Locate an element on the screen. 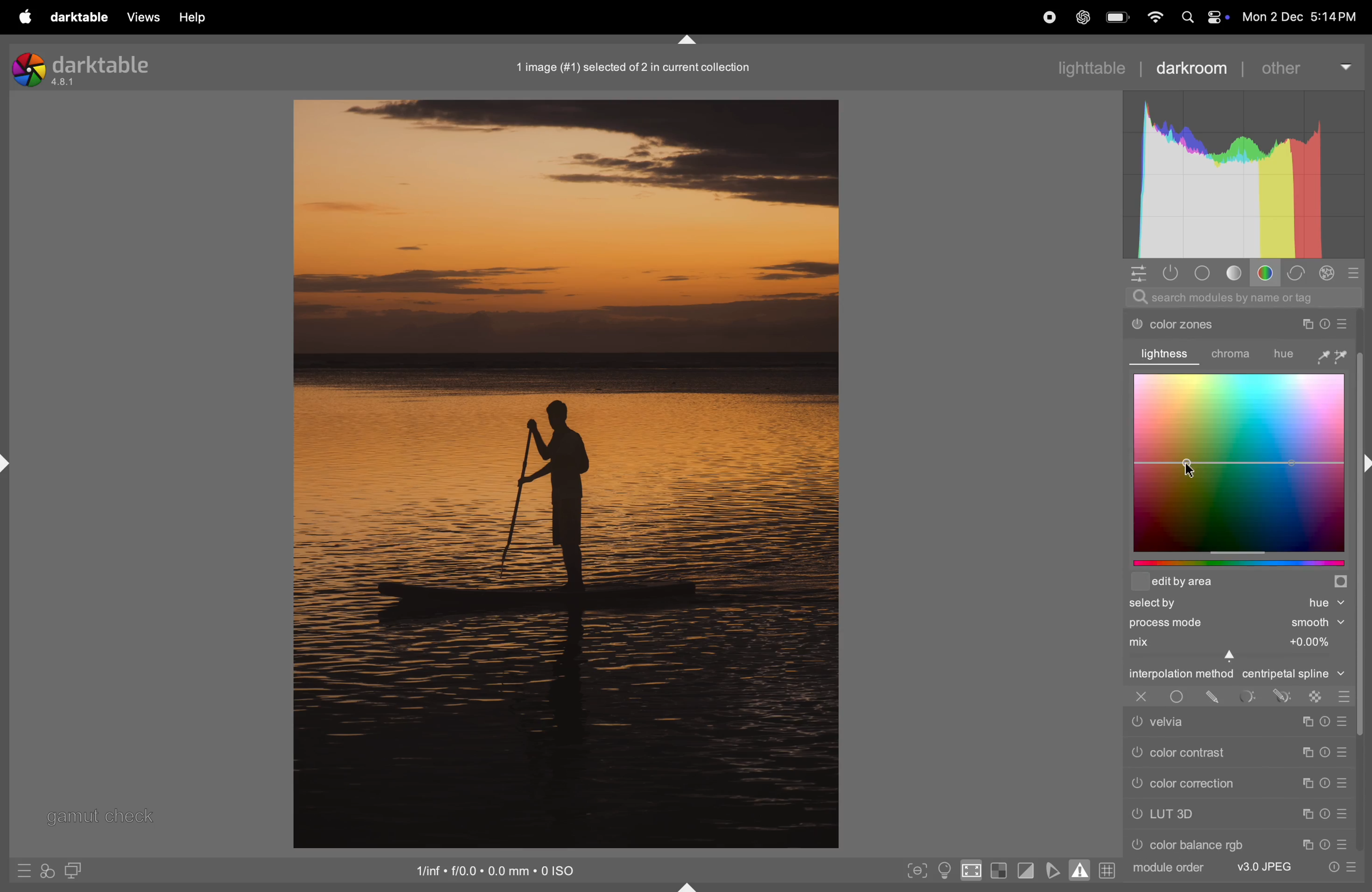  Smooth is located at coordinates (1318, 623).